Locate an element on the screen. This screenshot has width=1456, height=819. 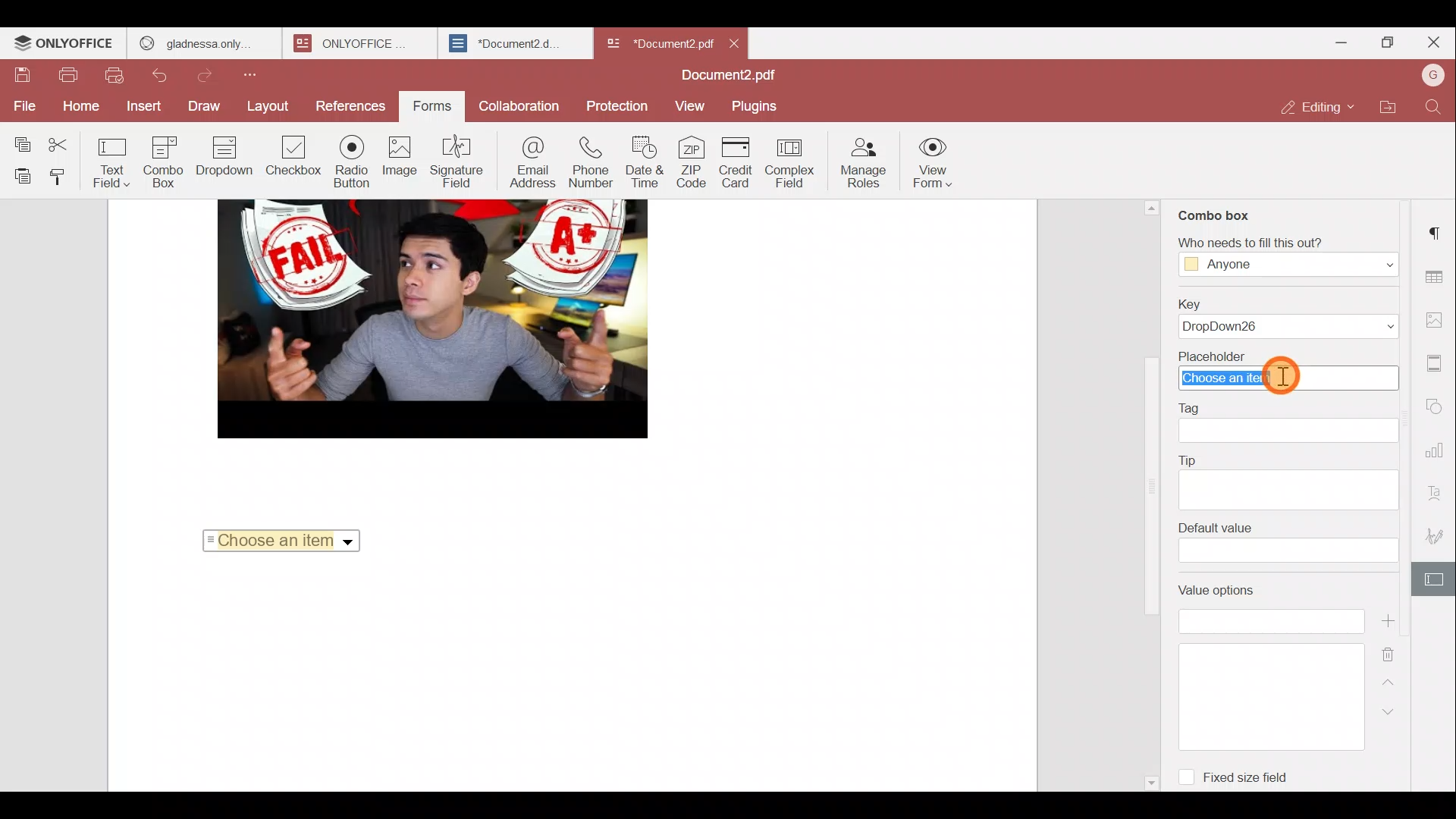
gladnessa only. is located at coordinates (196, 41).